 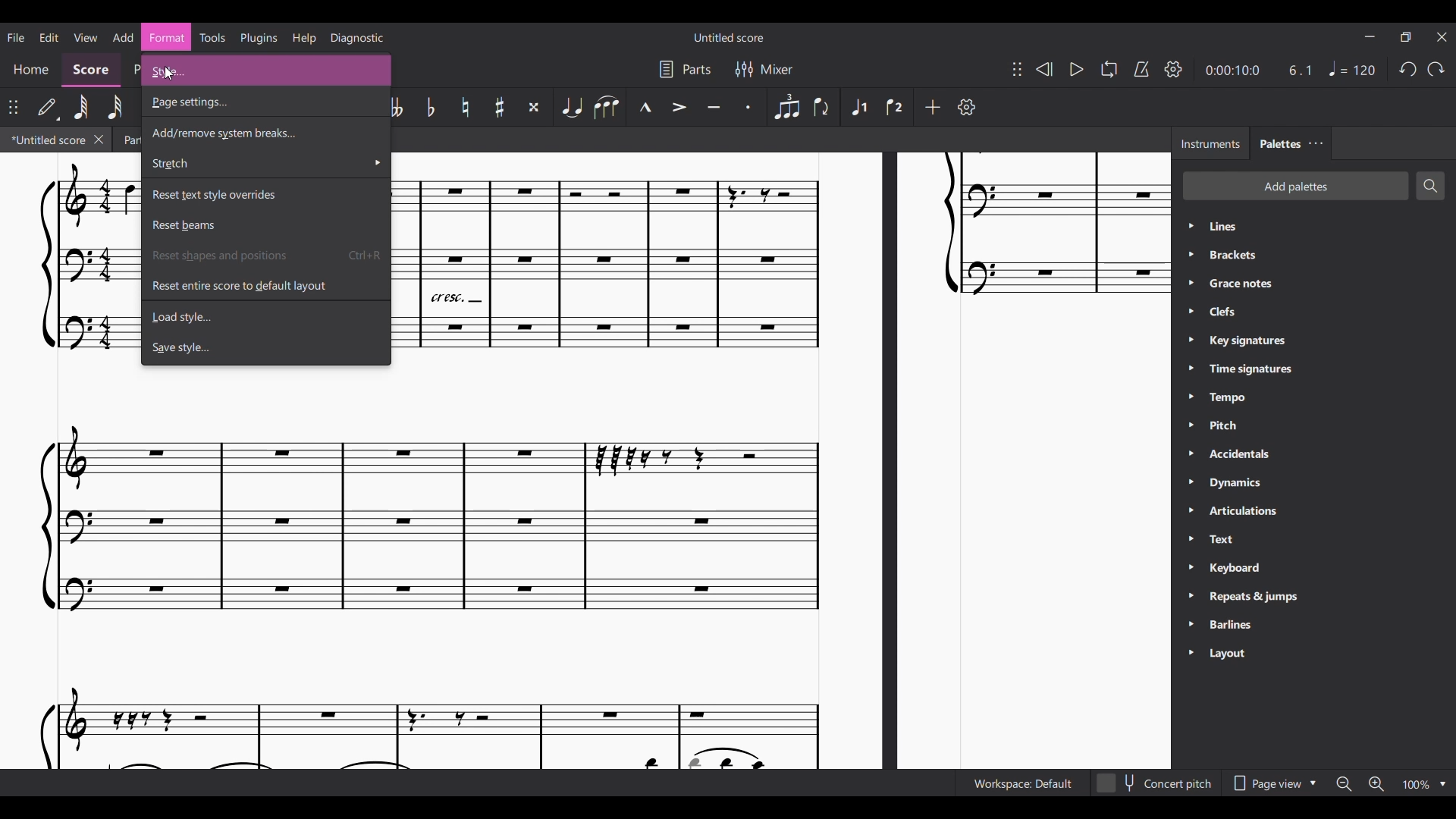 I want to click on View menu, so click(x=85, y=37).